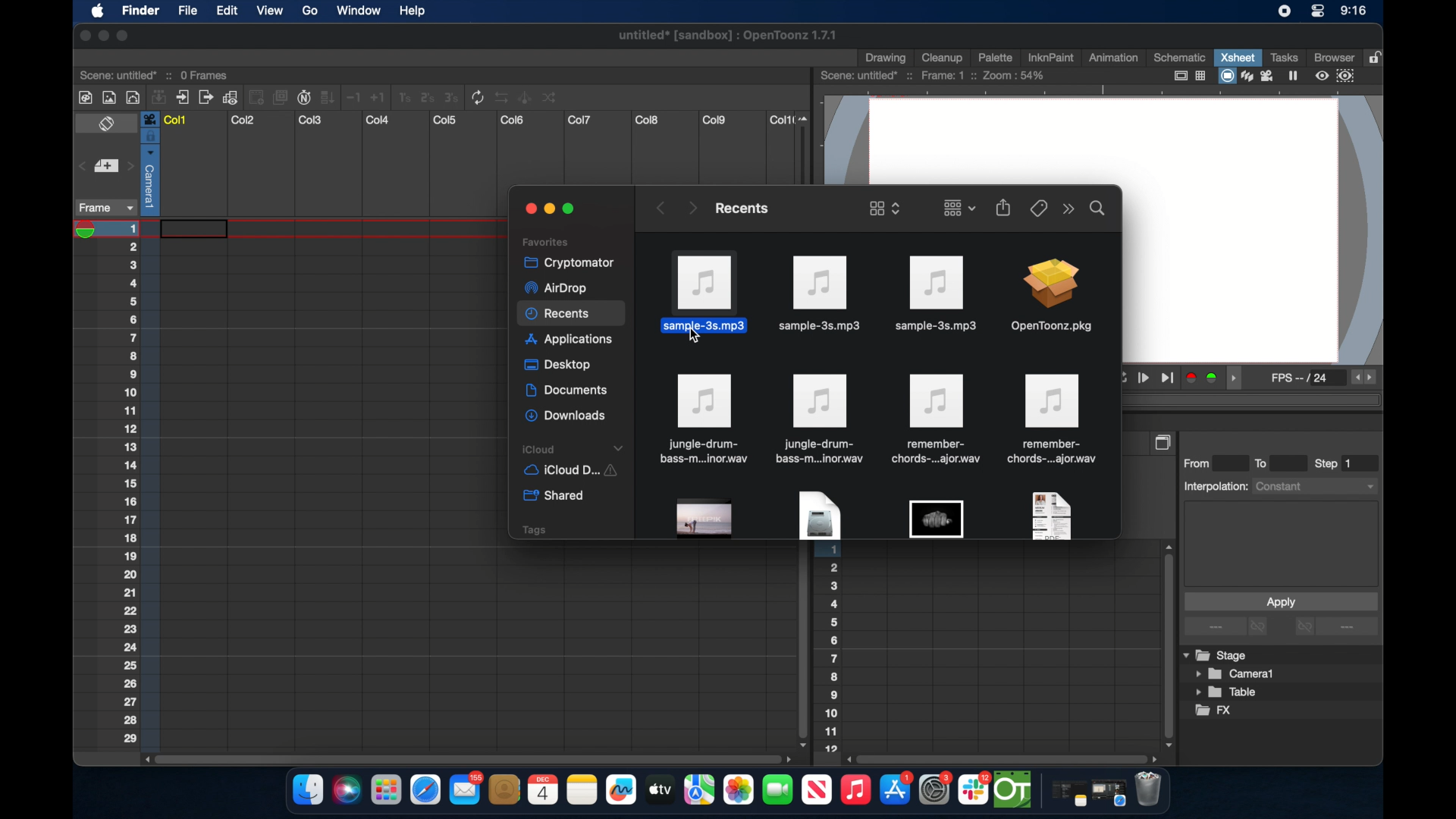  Describe the element at coordinates (82, 36) in the screenshot. I see `close` at that location.